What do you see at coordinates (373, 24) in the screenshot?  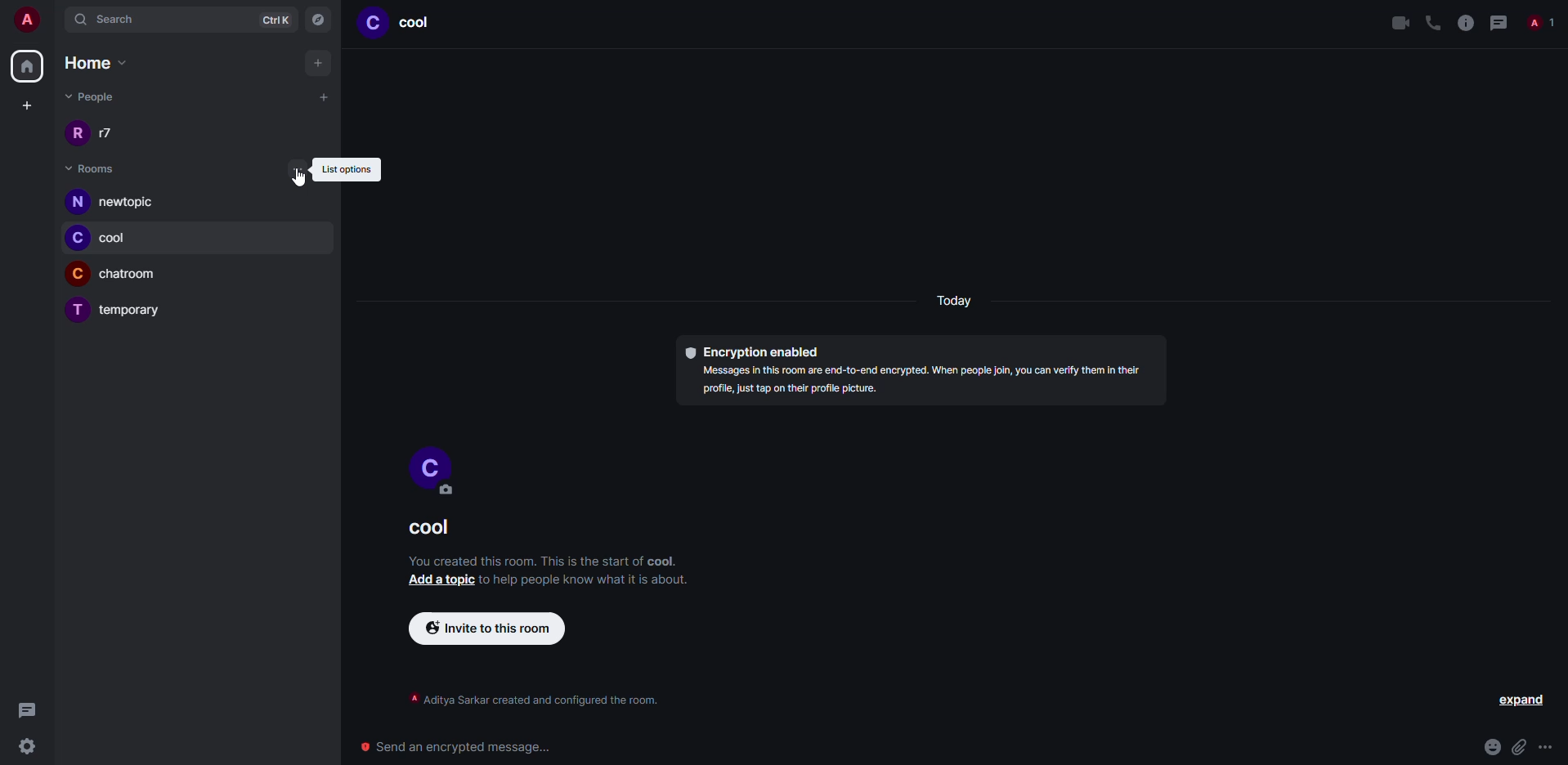 I see `profile` at bounding box center [373, 24].